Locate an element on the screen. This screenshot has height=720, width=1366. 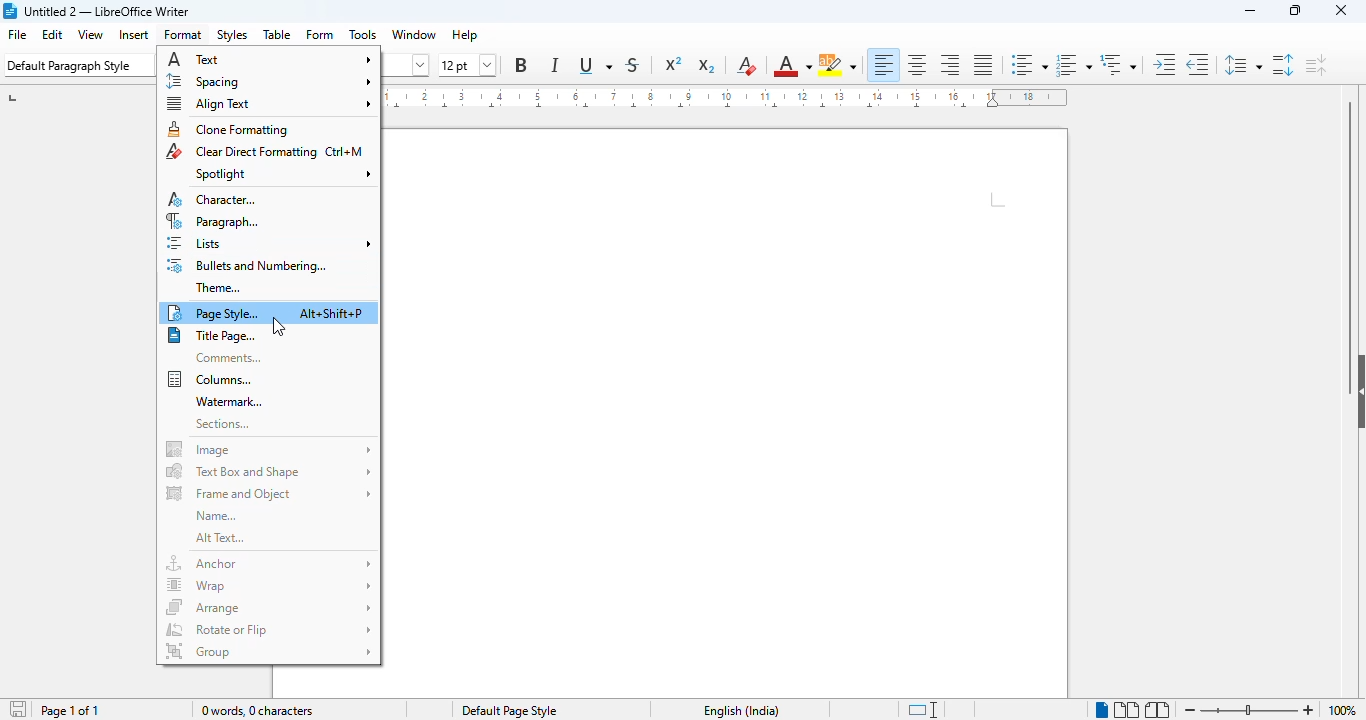
group is located at coordinates (267, 651).